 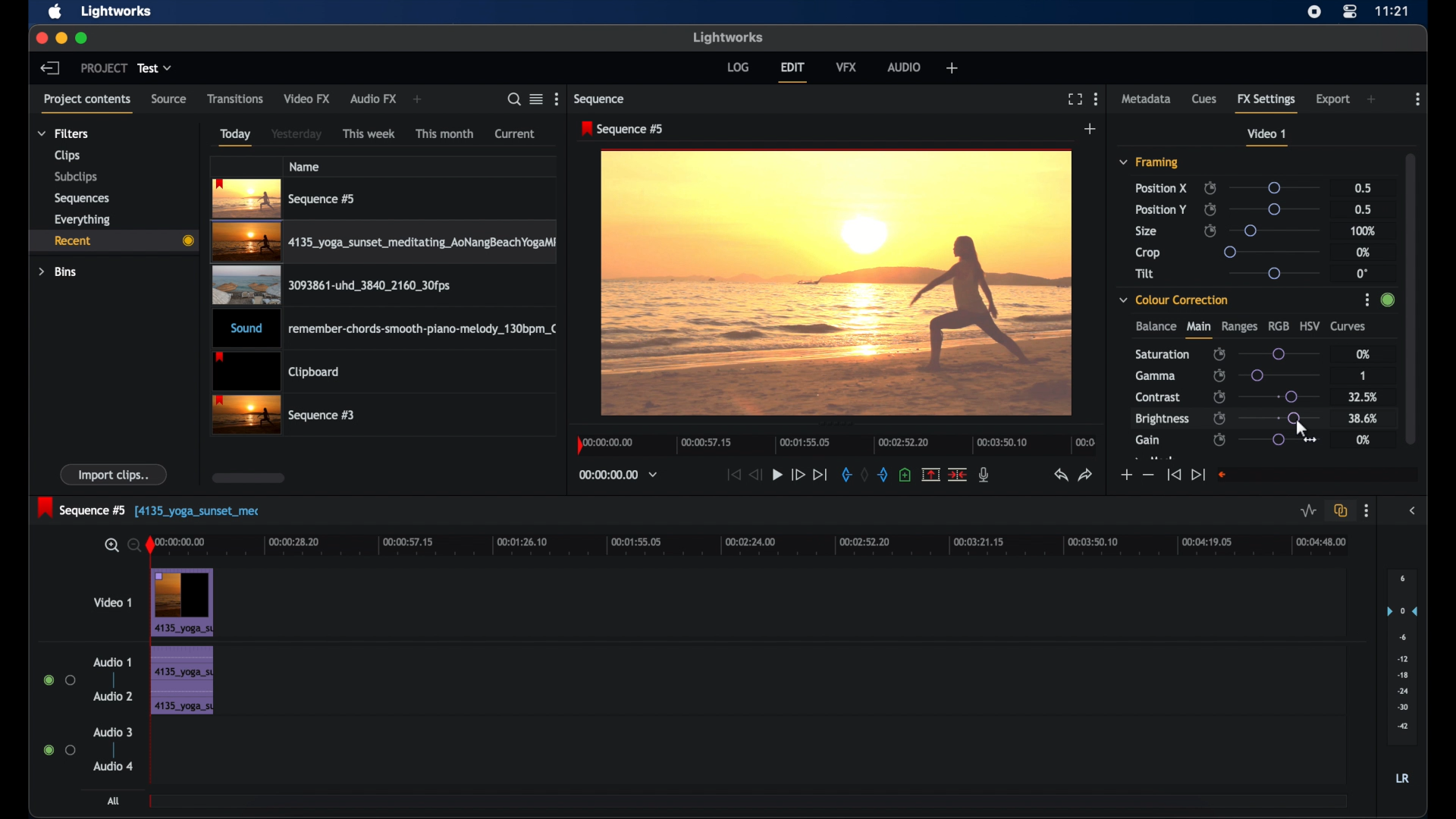 I want to click on current, so click(x=515, y=133).